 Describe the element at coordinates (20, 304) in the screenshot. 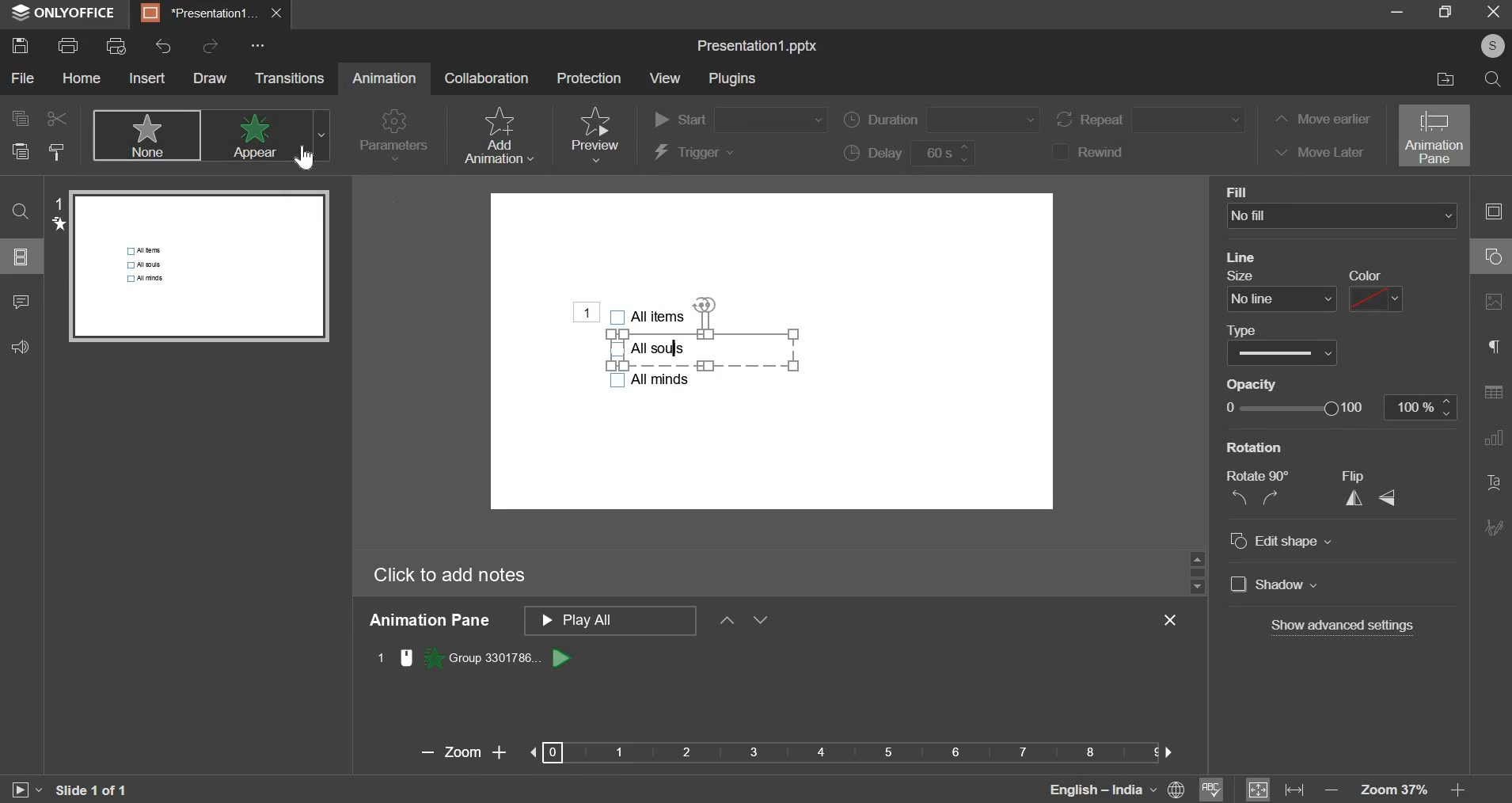

I see `comment` at that location.